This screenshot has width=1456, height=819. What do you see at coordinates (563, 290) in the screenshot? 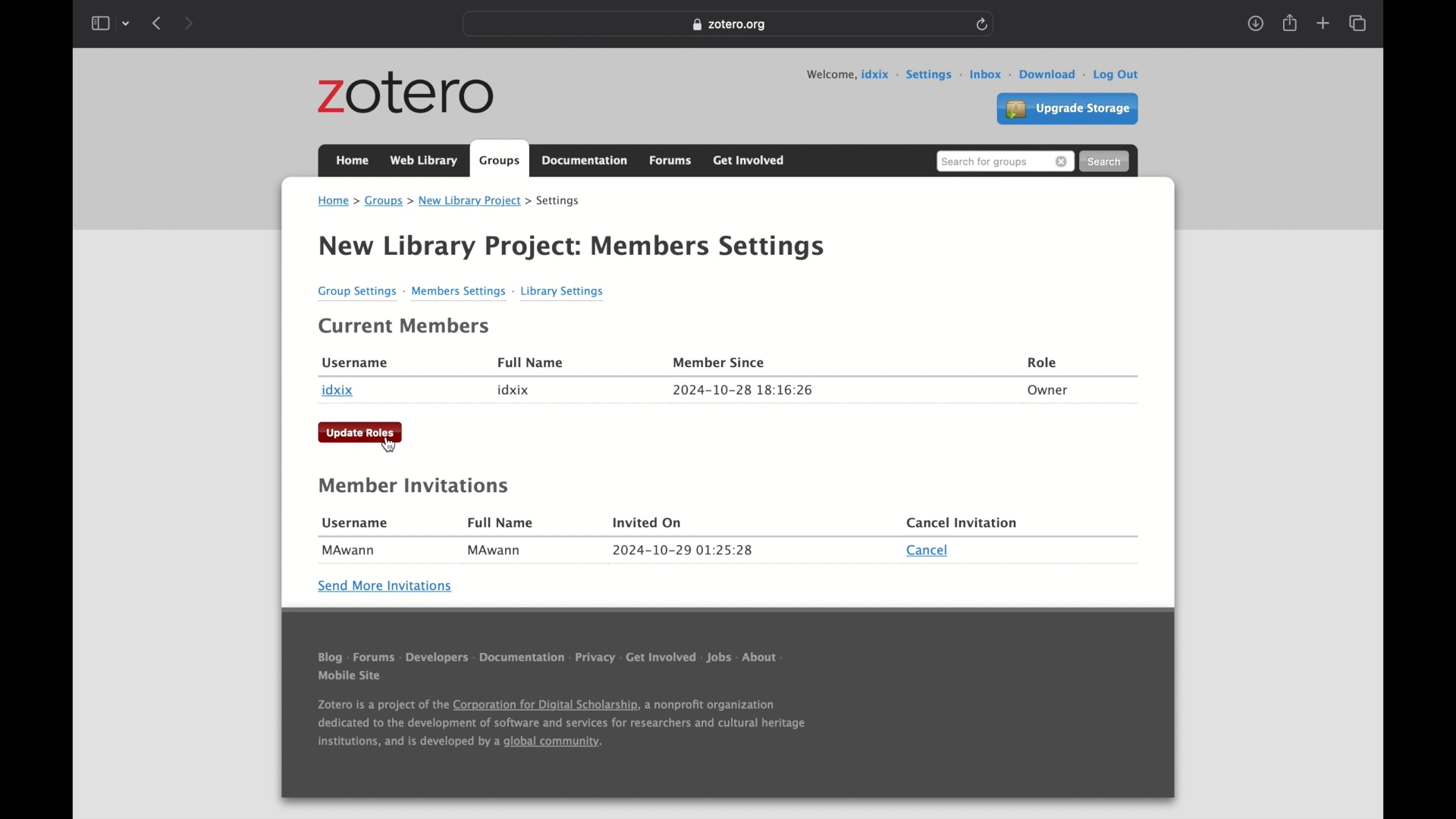
I see `library settings` at bounding box center [563, 290].